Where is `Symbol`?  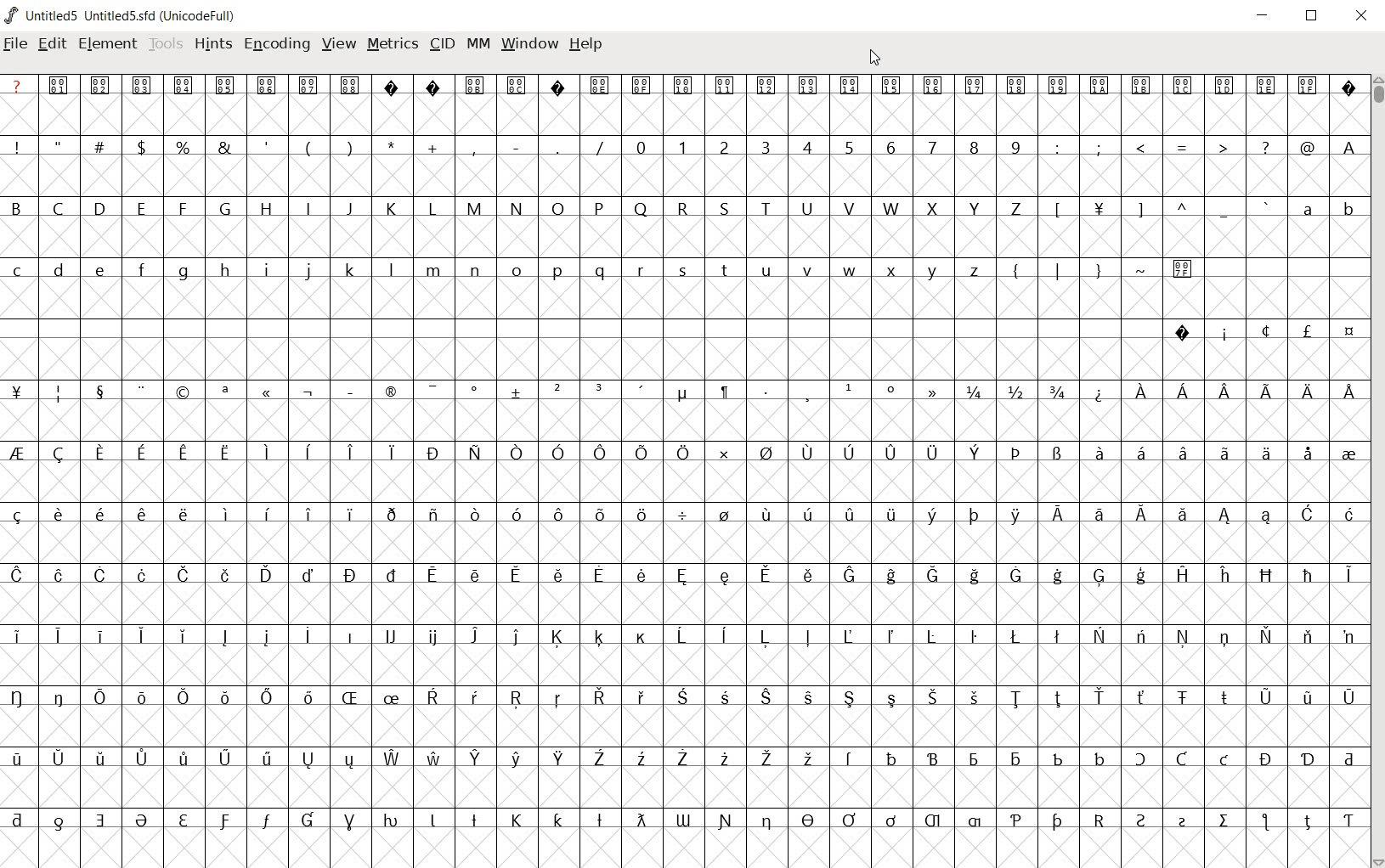
Symbol is located at coordinates (849, 575).